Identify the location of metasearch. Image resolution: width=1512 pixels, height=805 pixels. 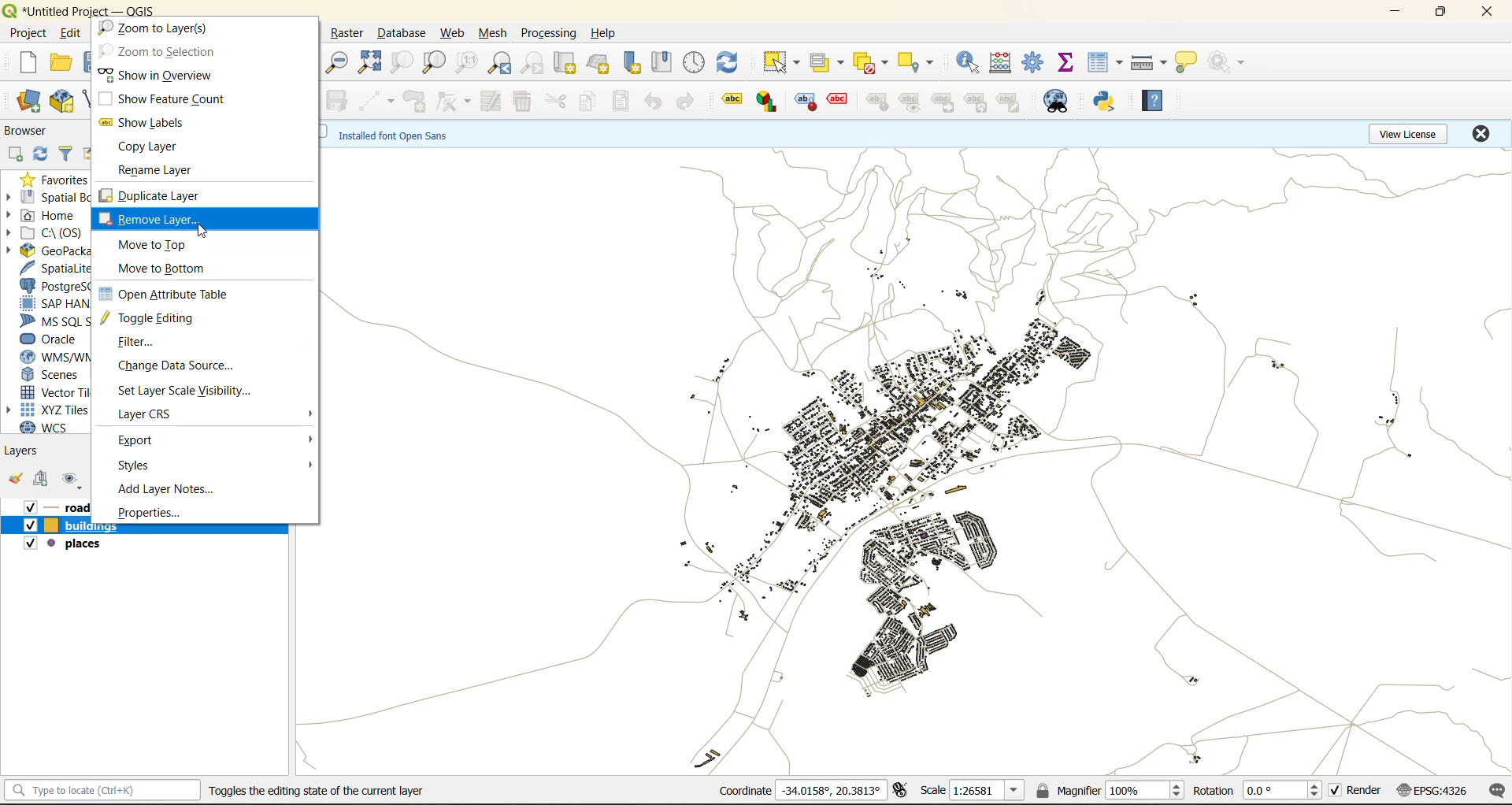
(1054, 106).